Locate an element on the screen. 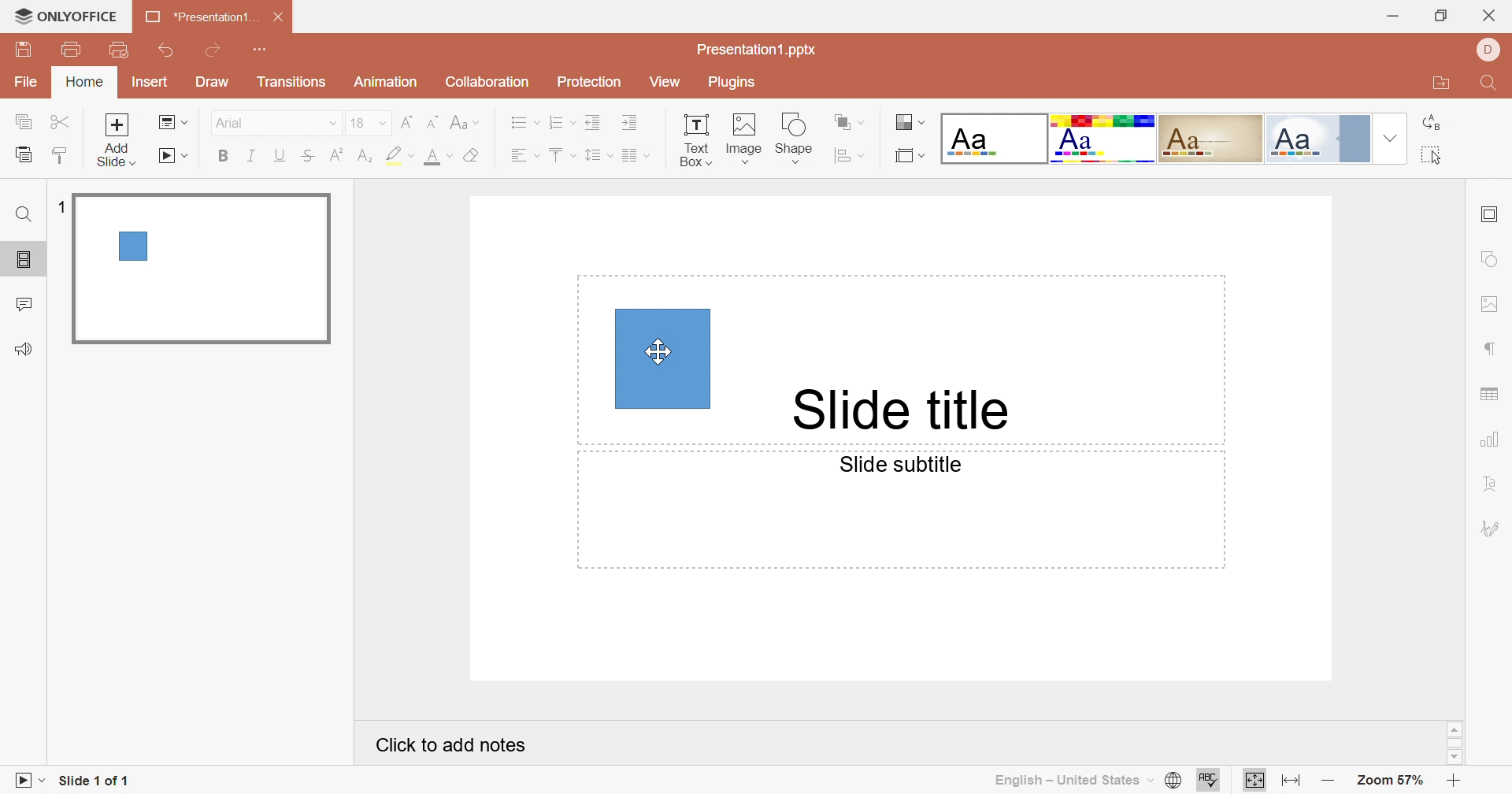 This screenshot has width=1512, height=794. Images is located at coordinates (743, 137).